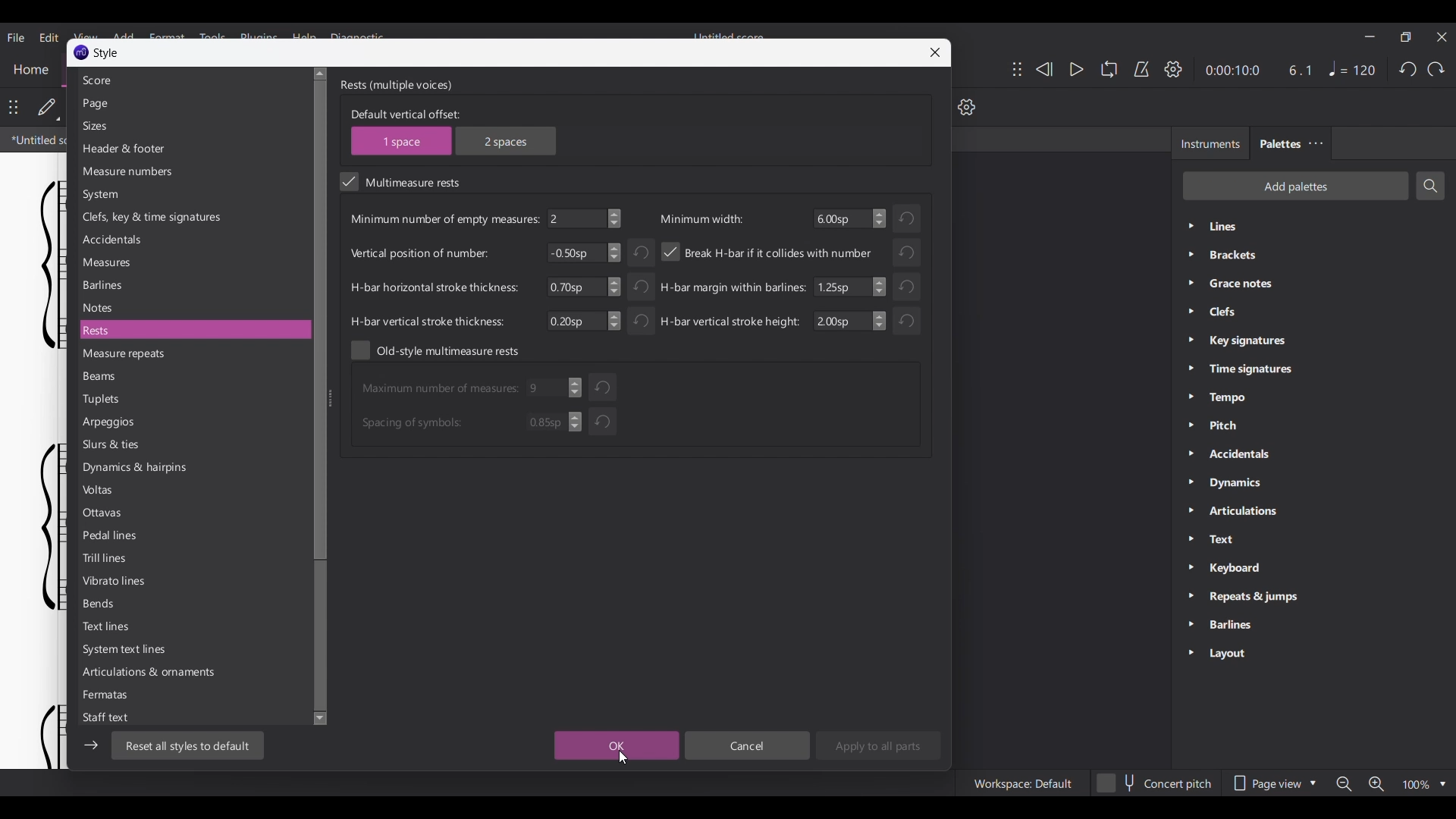 The height and width of the screenshot is (819, 1456). Describe the element at coordinates (879, 745) in the screenshot. I see `Apply to all parts` at that location.